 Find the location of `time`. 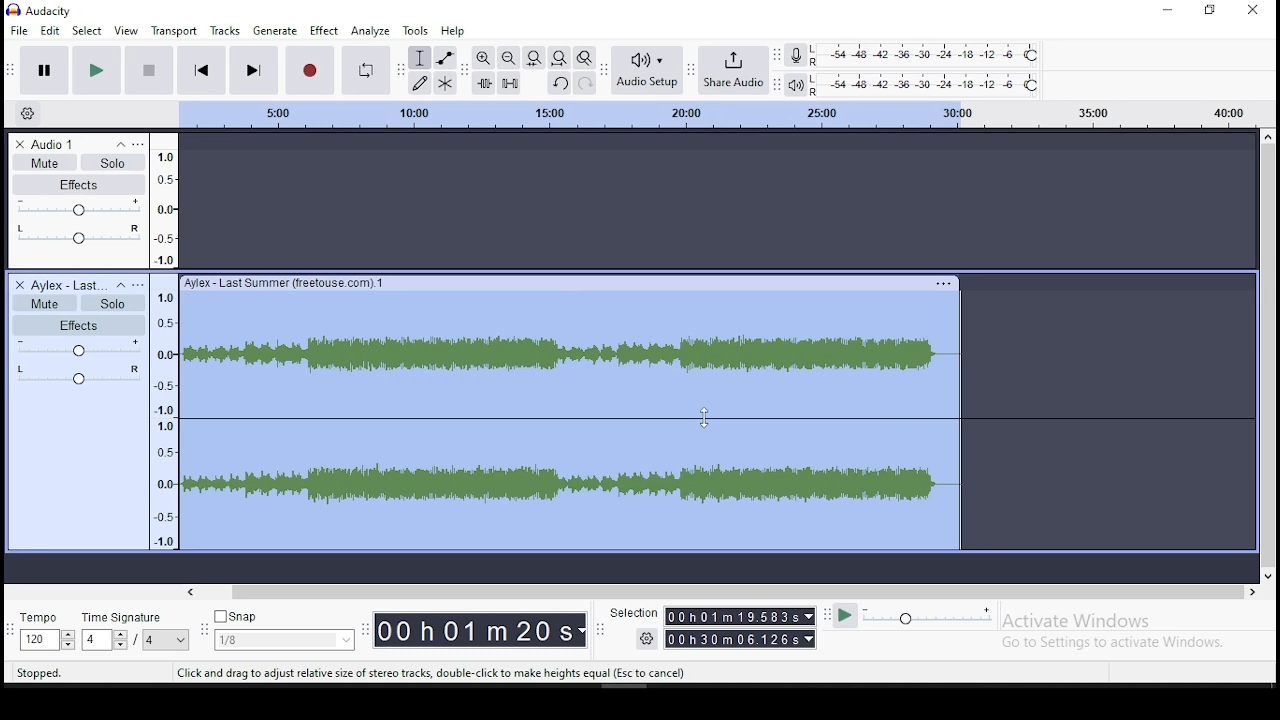

time is located at coordinates (482, 632).